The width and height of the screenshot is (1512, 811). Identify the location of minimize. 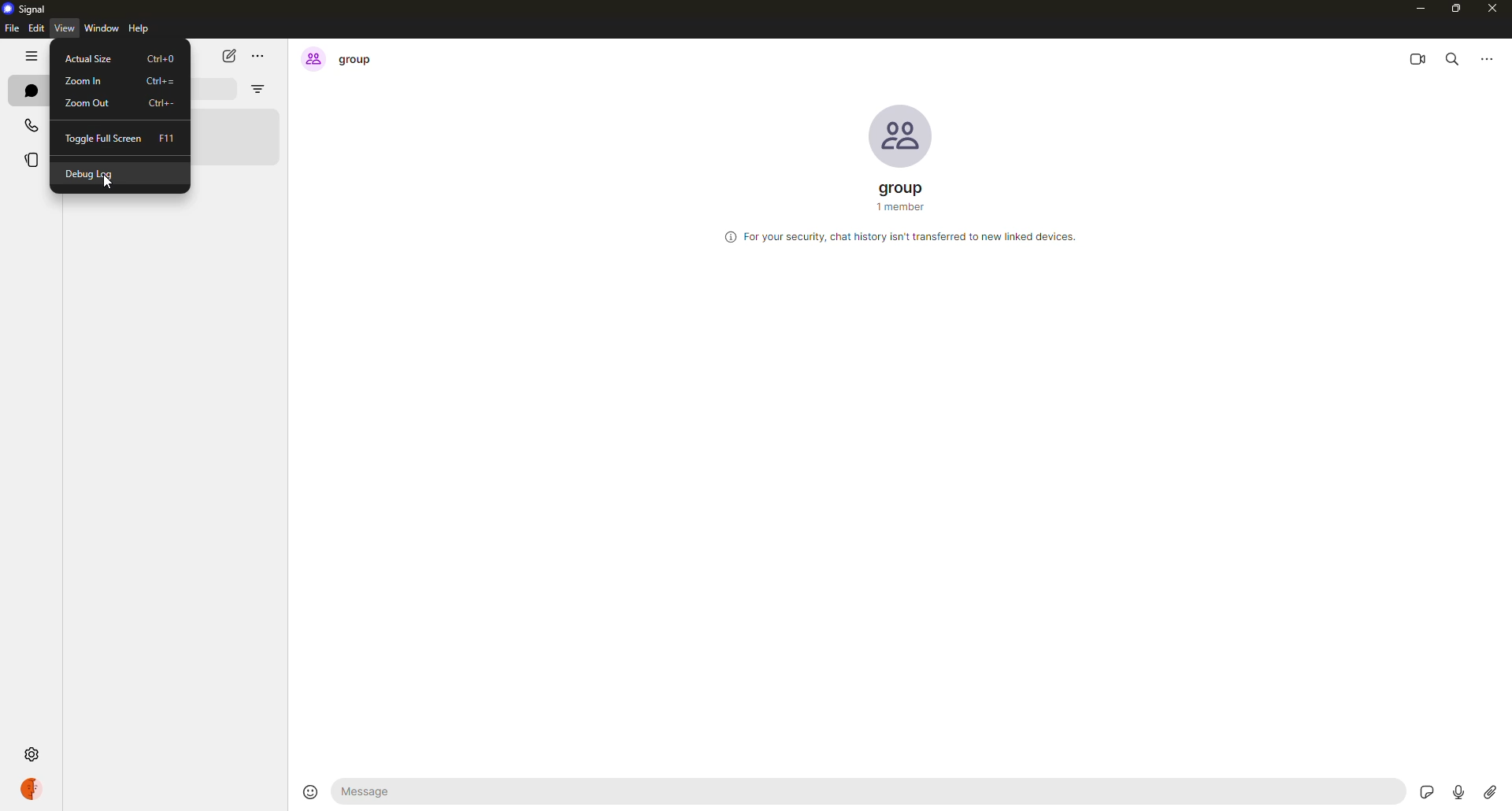
(1418, 9).